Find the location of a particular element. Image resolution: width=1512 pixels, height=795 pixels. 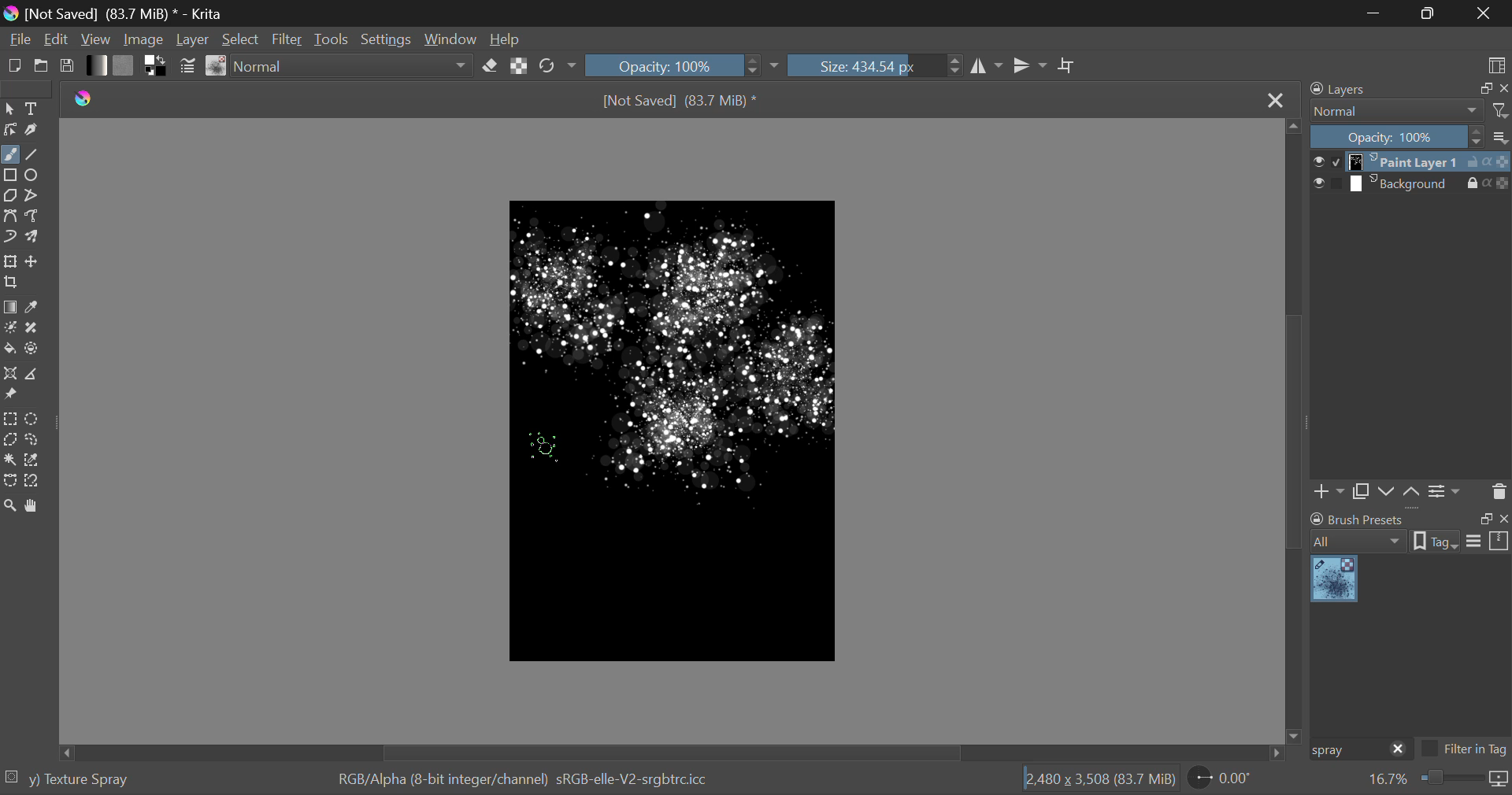

Layer is located at coordinates (194, 39).